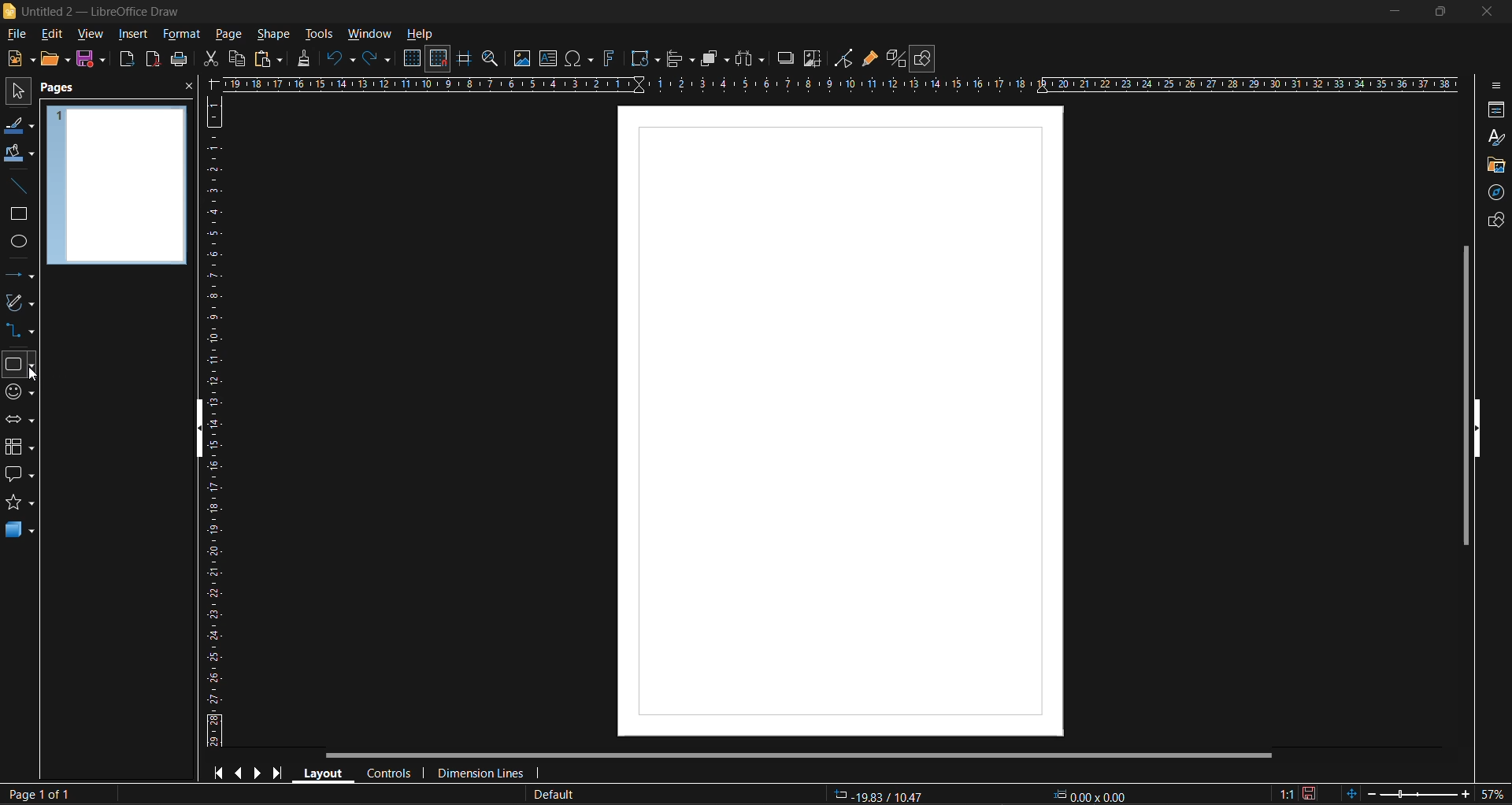  Describe the element at coordinates (1477, 429) in the screenshot. I see `hide` at that location.